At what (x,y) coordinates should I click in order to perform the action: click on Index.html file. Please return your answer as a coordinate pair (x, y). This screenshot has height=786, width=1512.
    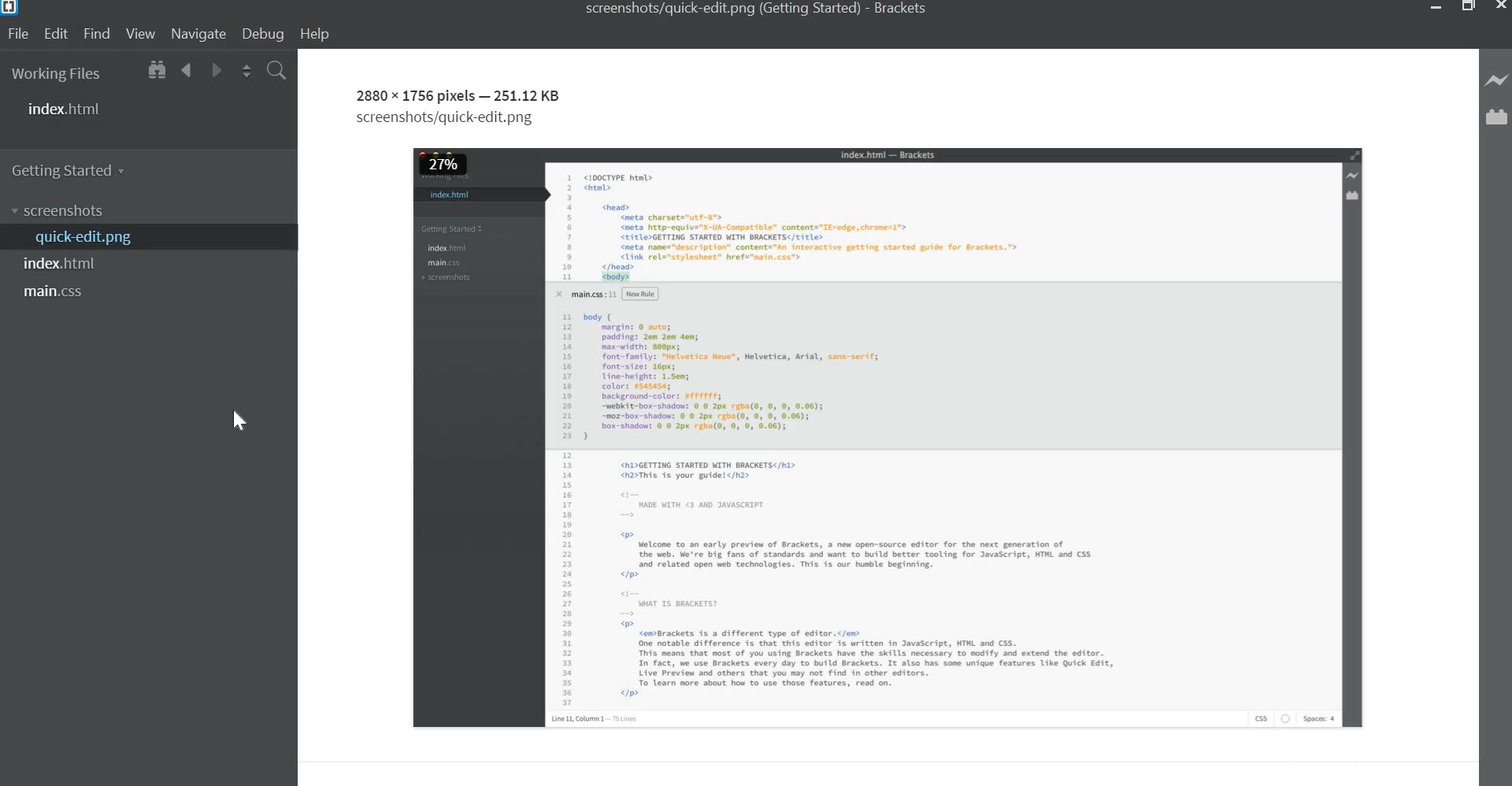
    Looking at the image, I should click on (68, 265).